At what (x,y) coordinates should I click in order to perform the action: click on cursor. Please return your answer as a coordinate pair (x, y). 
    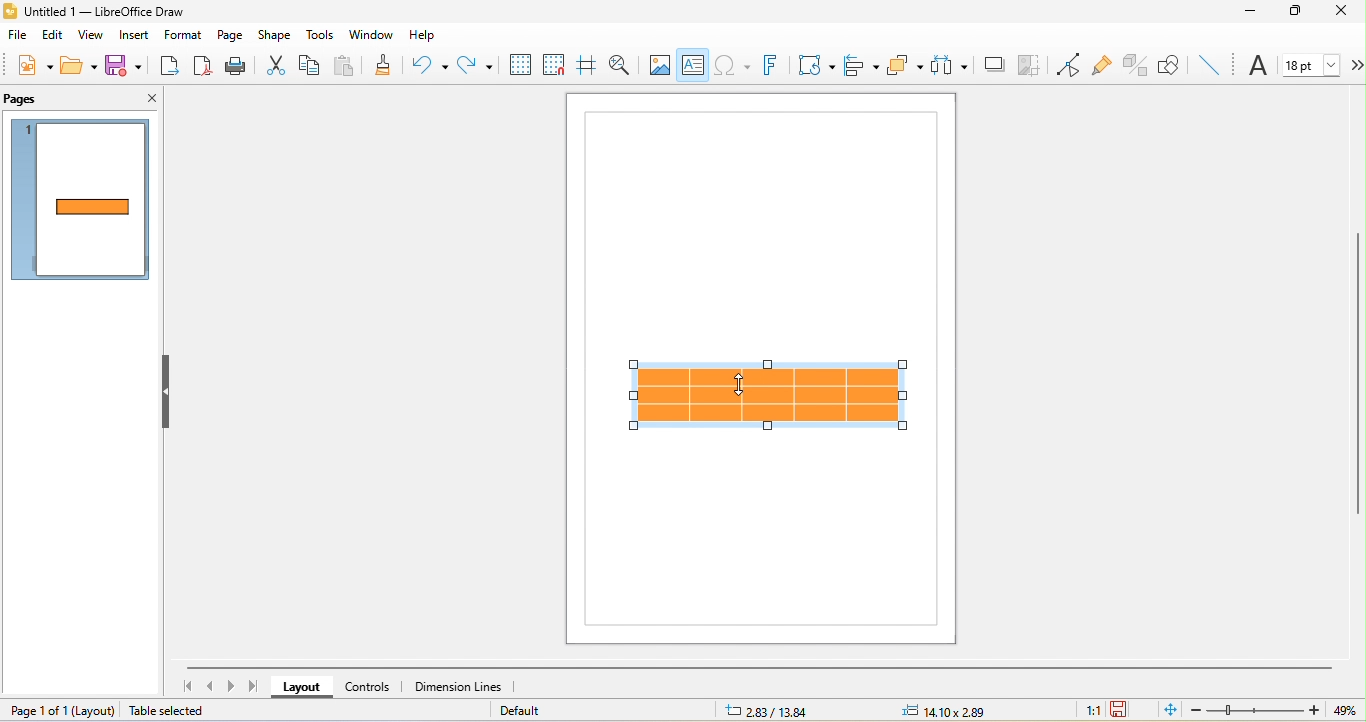
    Looking at the image, I should click on (733, 384).